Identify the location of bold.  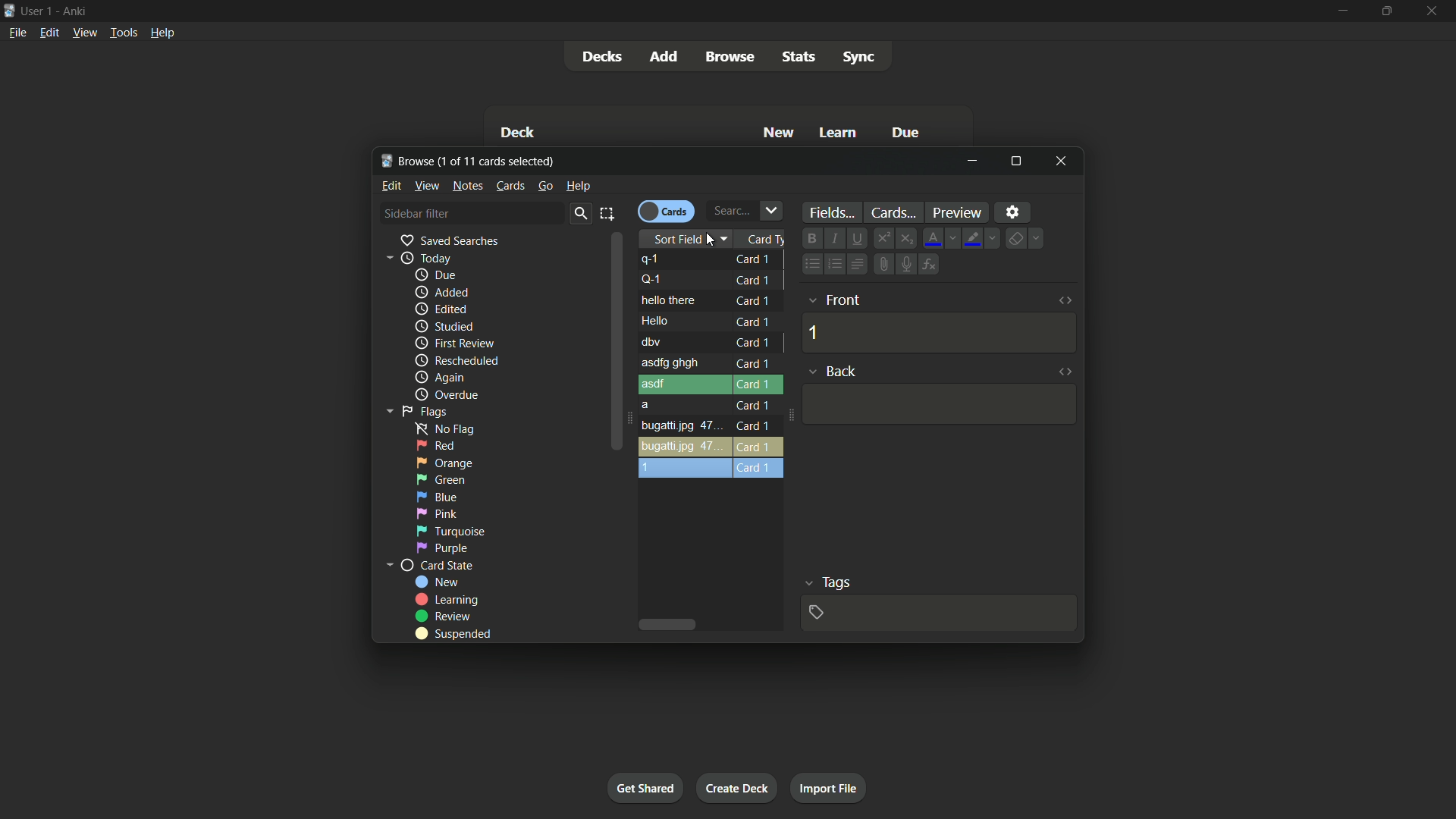
(811, 237).